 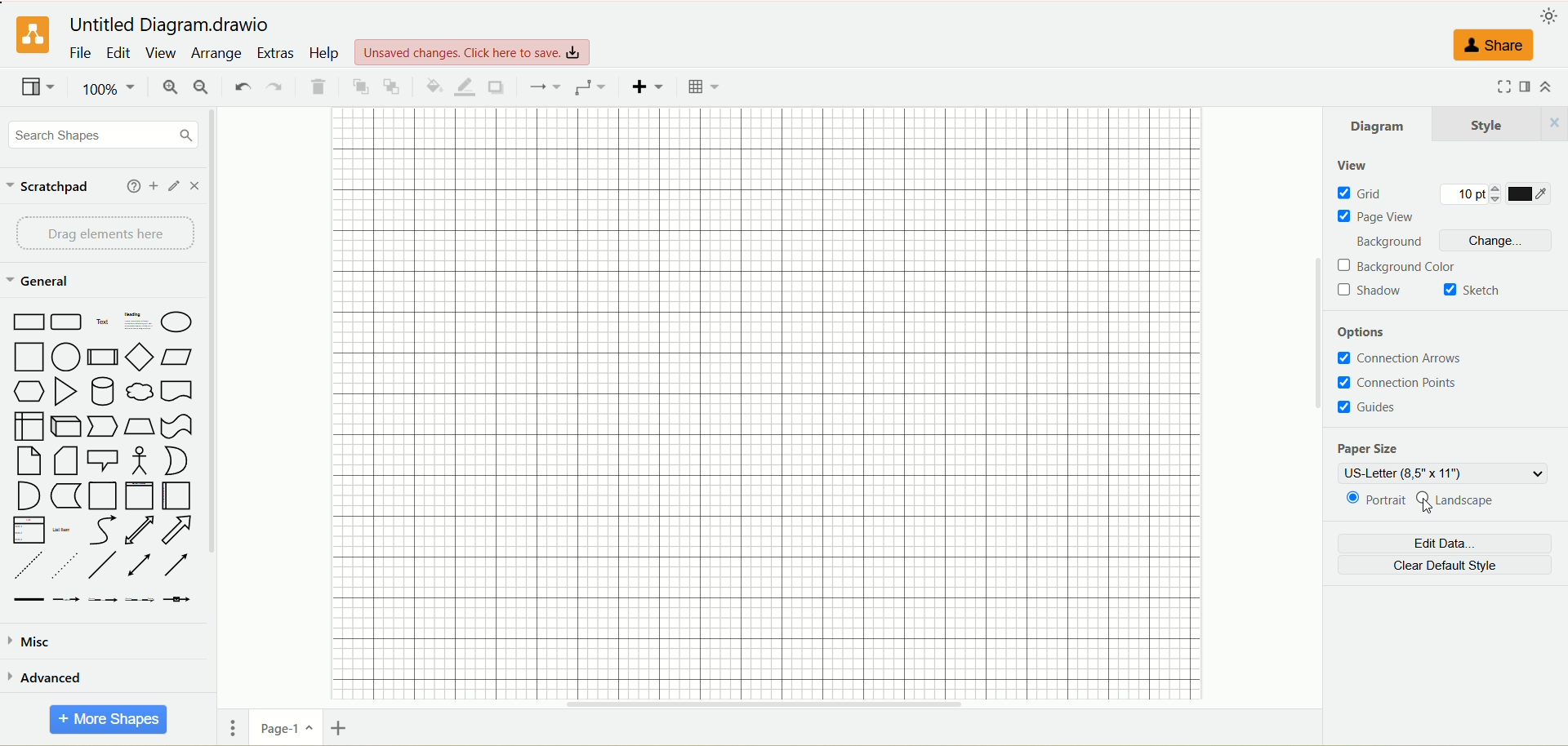 I want to click on landscape, so click(x=1466, y=504).